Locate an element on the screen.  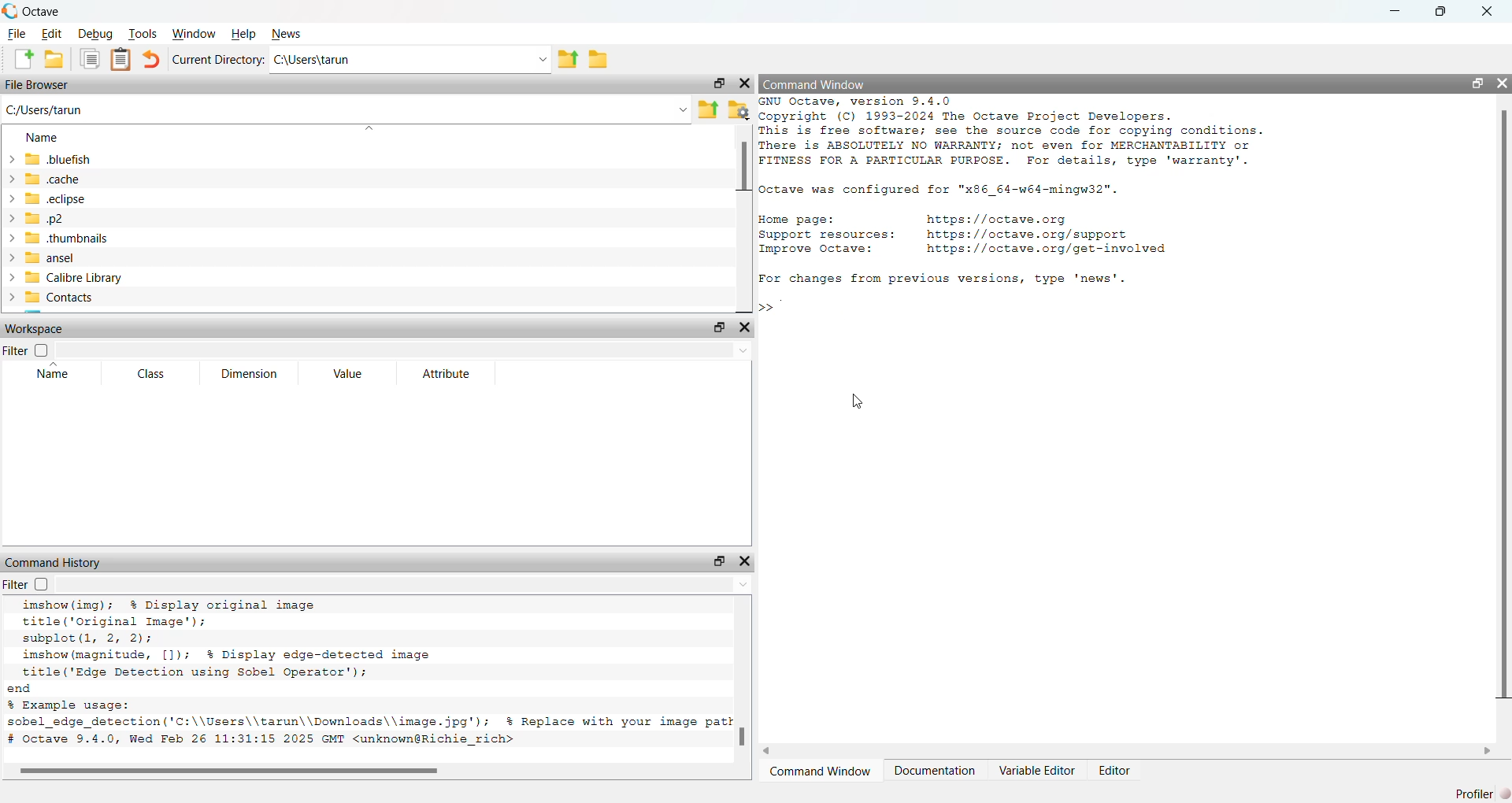
folder settings is located at coordinates (740, 109).